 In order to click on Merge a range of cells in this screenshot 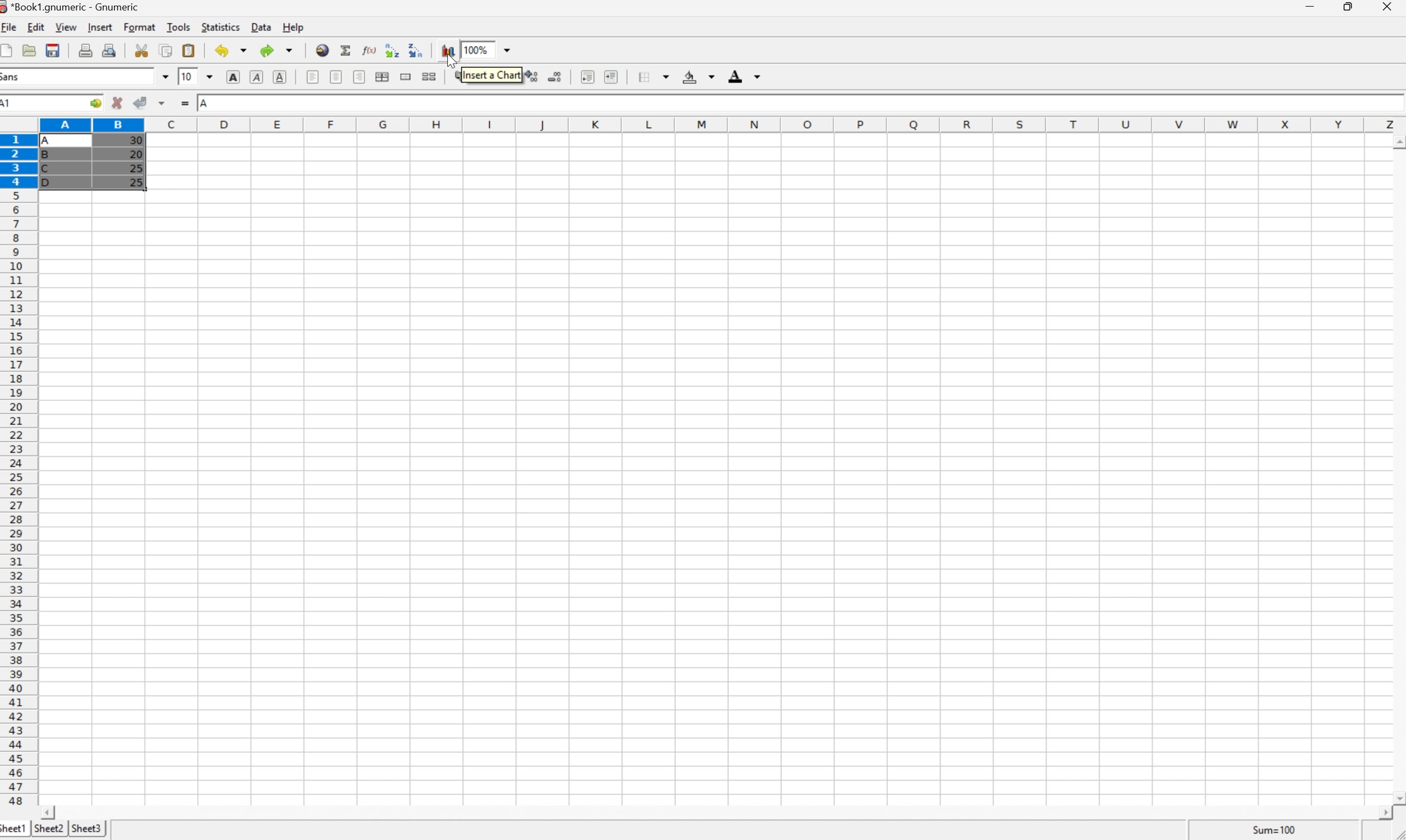, I will do `click(406, 78)`.